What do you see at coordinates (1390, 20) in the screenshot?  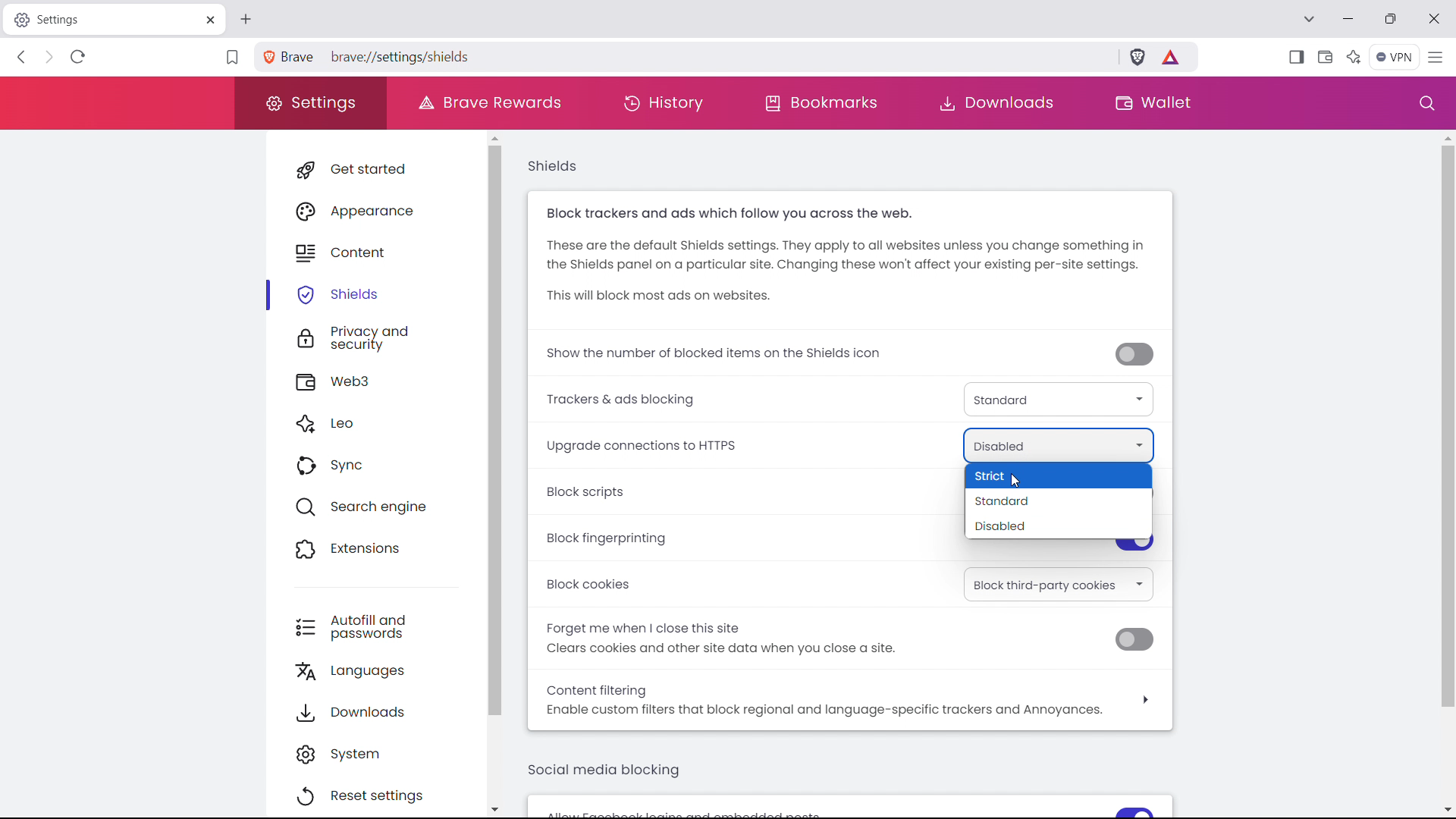 I see `maximize` at bounding box center [1390, 20].